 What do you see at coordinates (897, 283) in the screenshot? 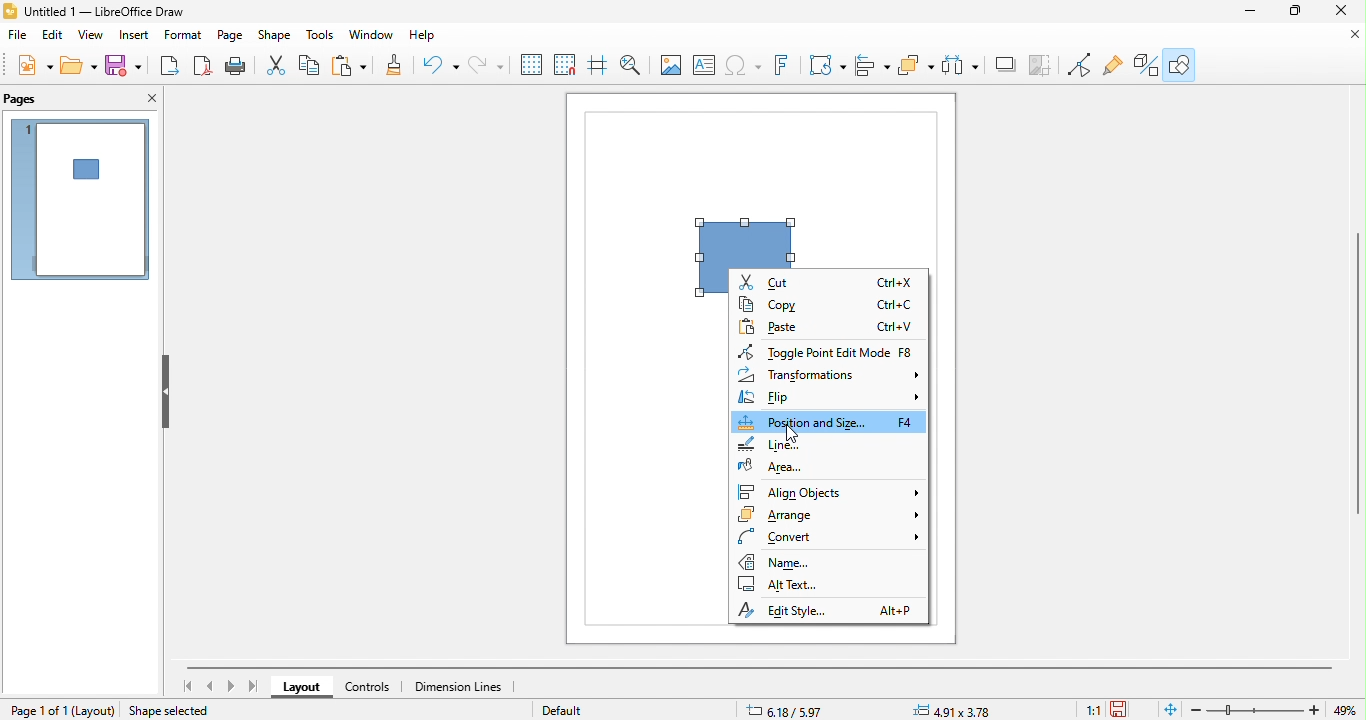
I see `Shortcut key` at bounding box center [897, 283].